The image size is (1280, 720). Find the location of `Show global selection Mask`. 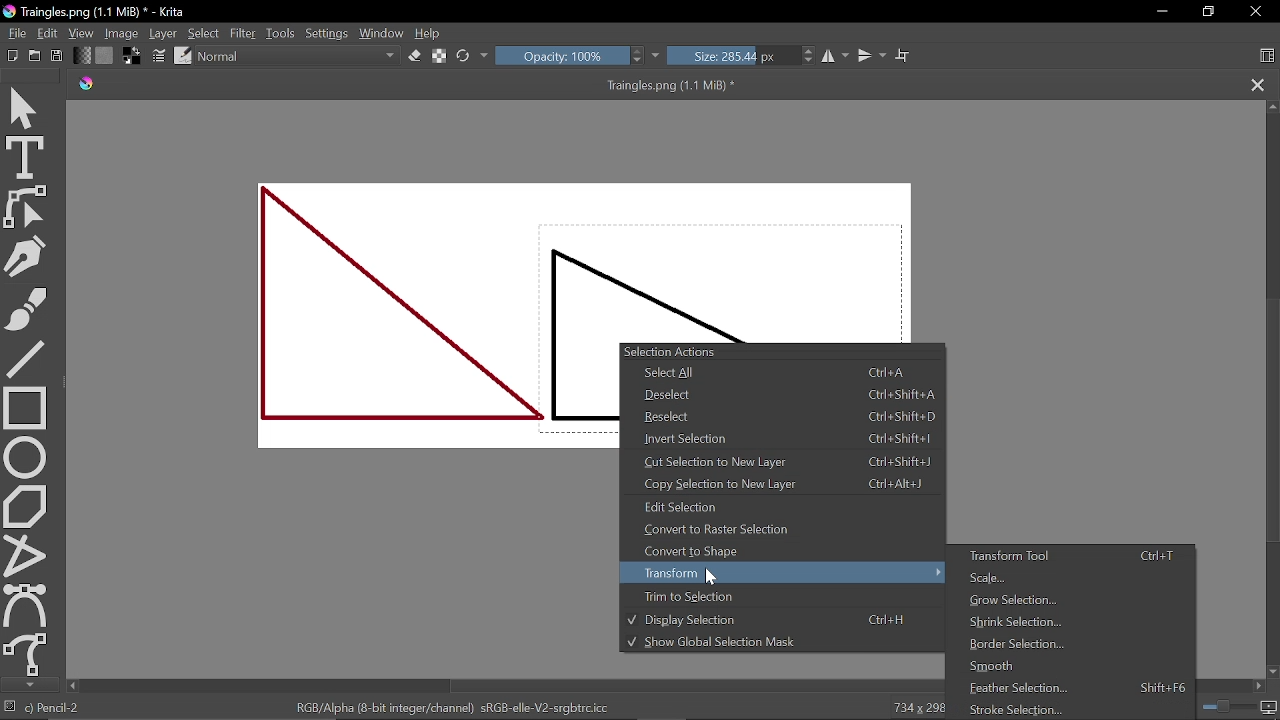

Show global selection Mask is located at coordinates (764, 643).